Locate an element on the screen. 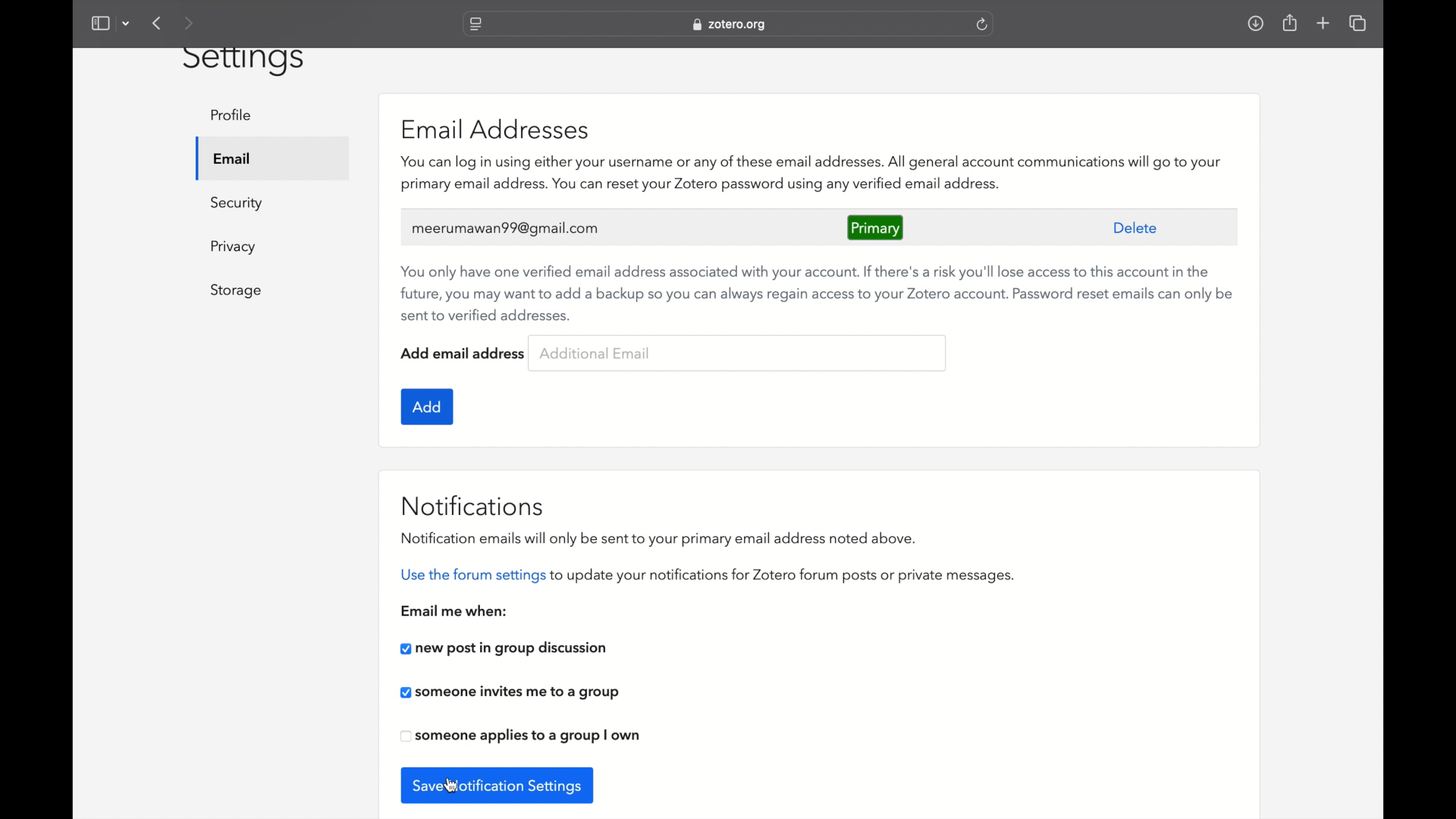  additional email is located at coordinates (593, 353).